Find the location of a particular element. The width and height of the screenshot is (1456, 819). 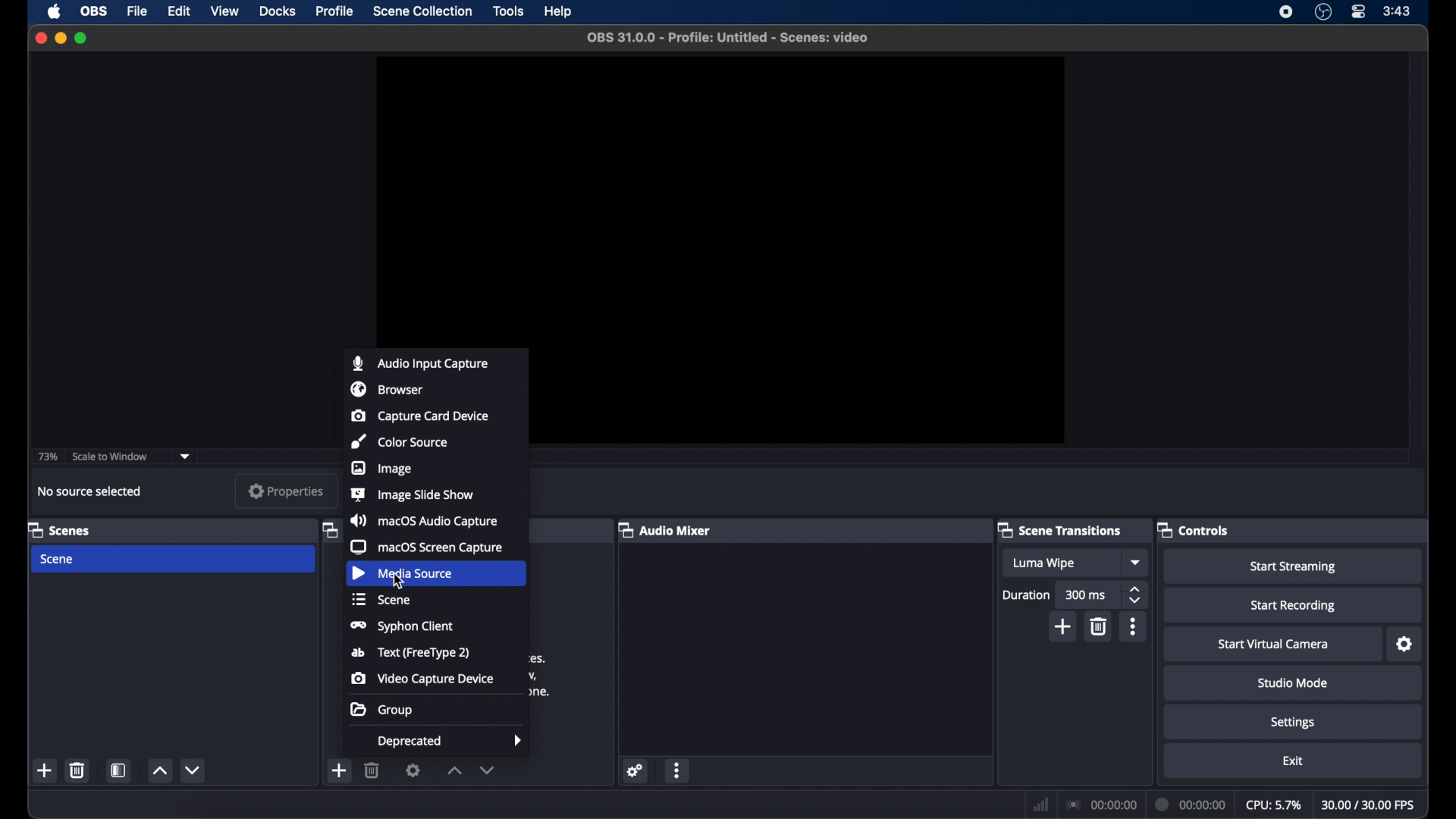

profile is located at coordinates (335, 12).